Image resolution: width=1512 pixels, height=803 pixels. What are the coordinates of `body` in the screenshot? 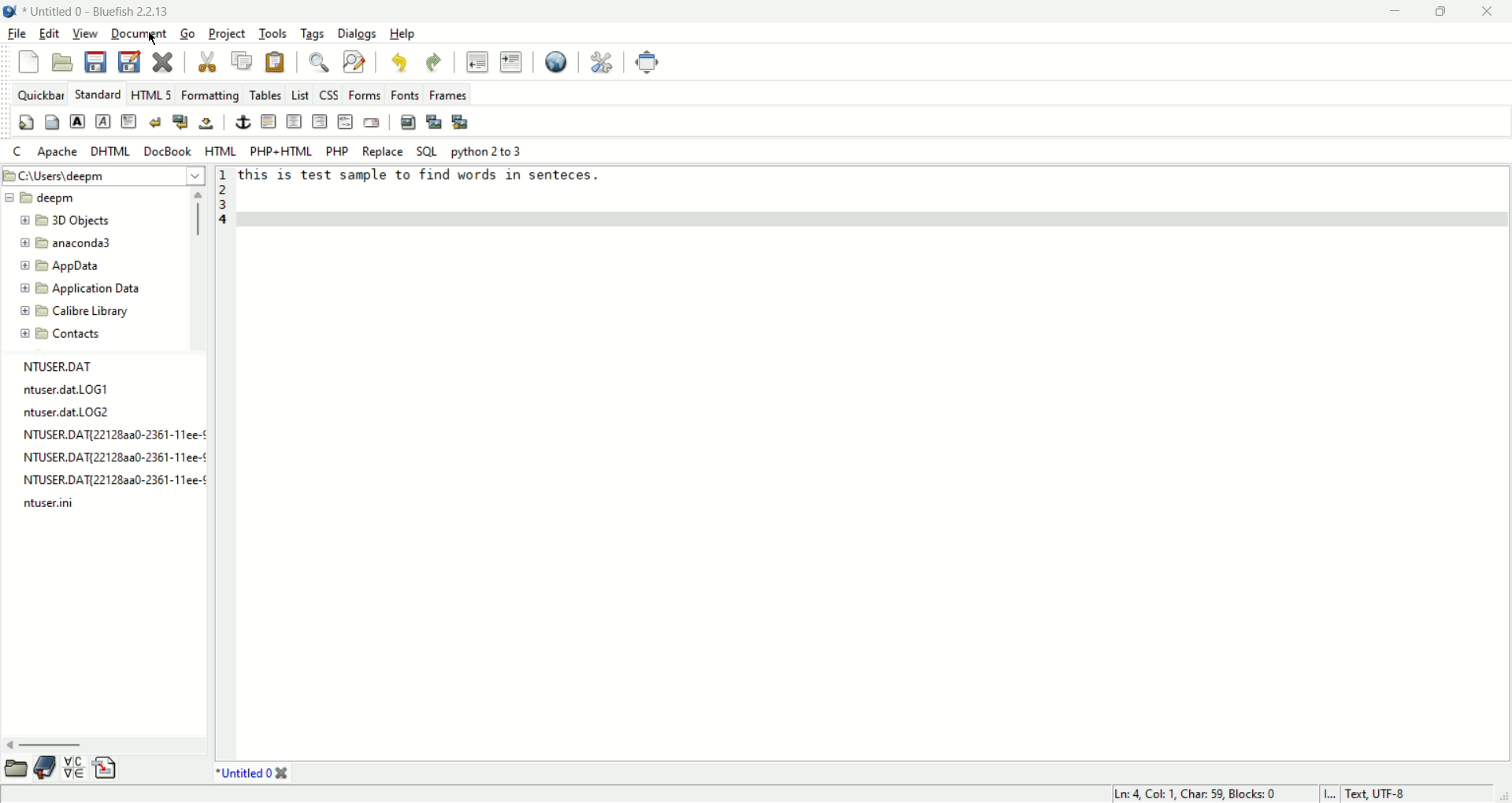 It's located at (53, 123).